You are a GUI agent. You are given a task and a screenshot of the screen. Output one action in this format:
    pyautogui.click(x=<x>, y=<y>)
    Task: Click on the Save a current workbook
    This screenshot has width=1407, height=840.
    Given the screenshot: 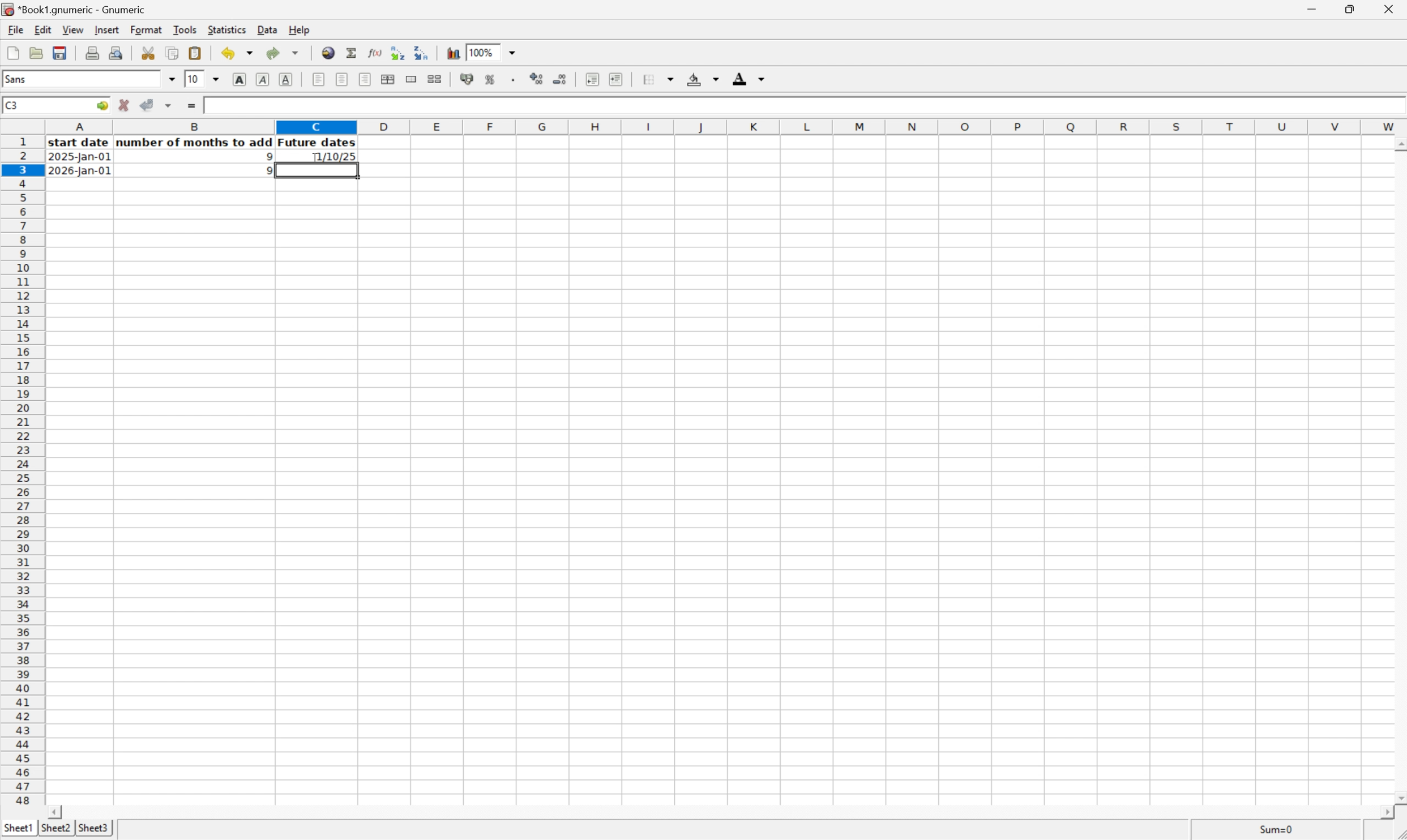 What is the action you would take?
    pyautogui.click(x=62, y=53)
    